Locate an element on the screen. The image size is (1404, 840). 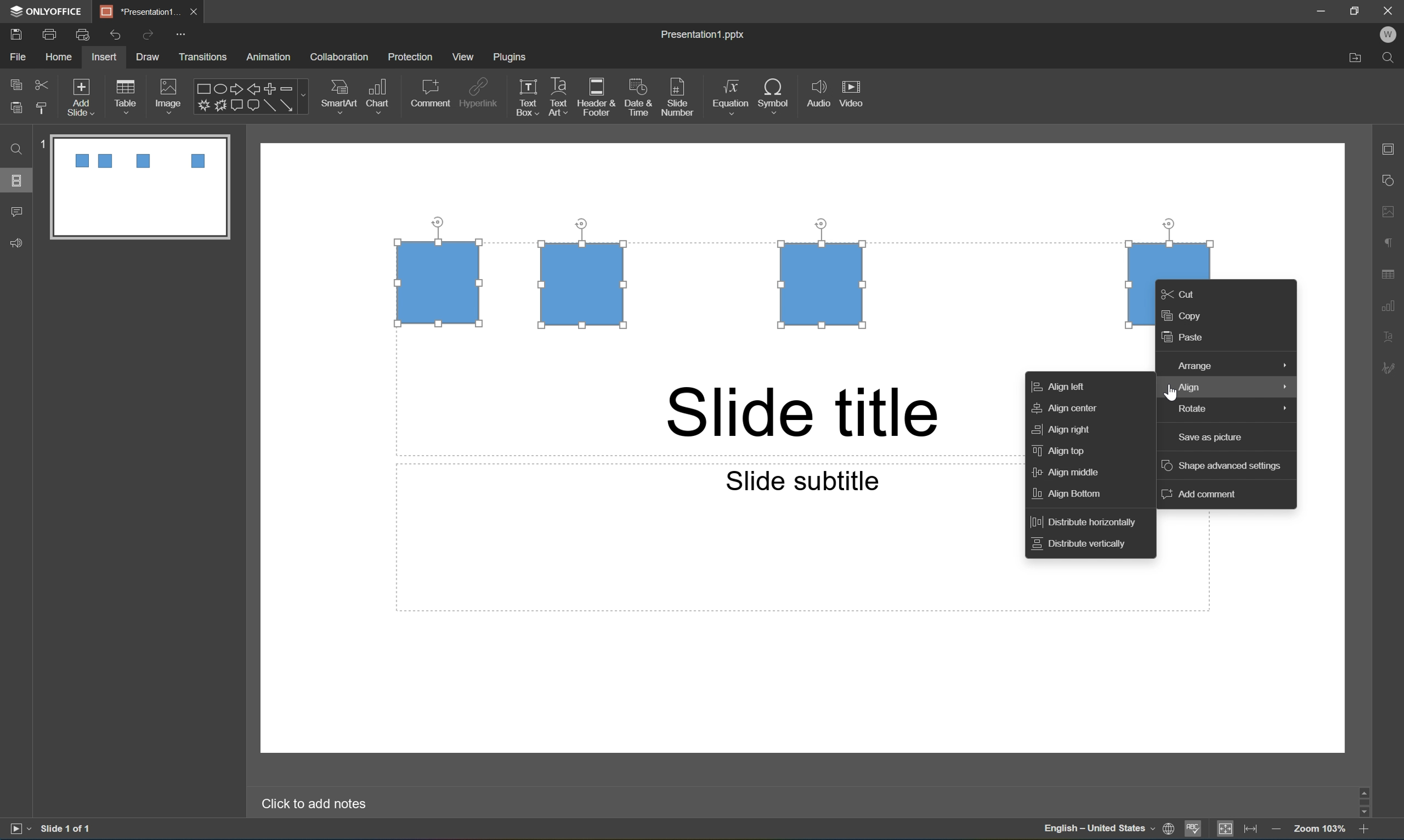
collaboration is located at coordinates (341, 57).